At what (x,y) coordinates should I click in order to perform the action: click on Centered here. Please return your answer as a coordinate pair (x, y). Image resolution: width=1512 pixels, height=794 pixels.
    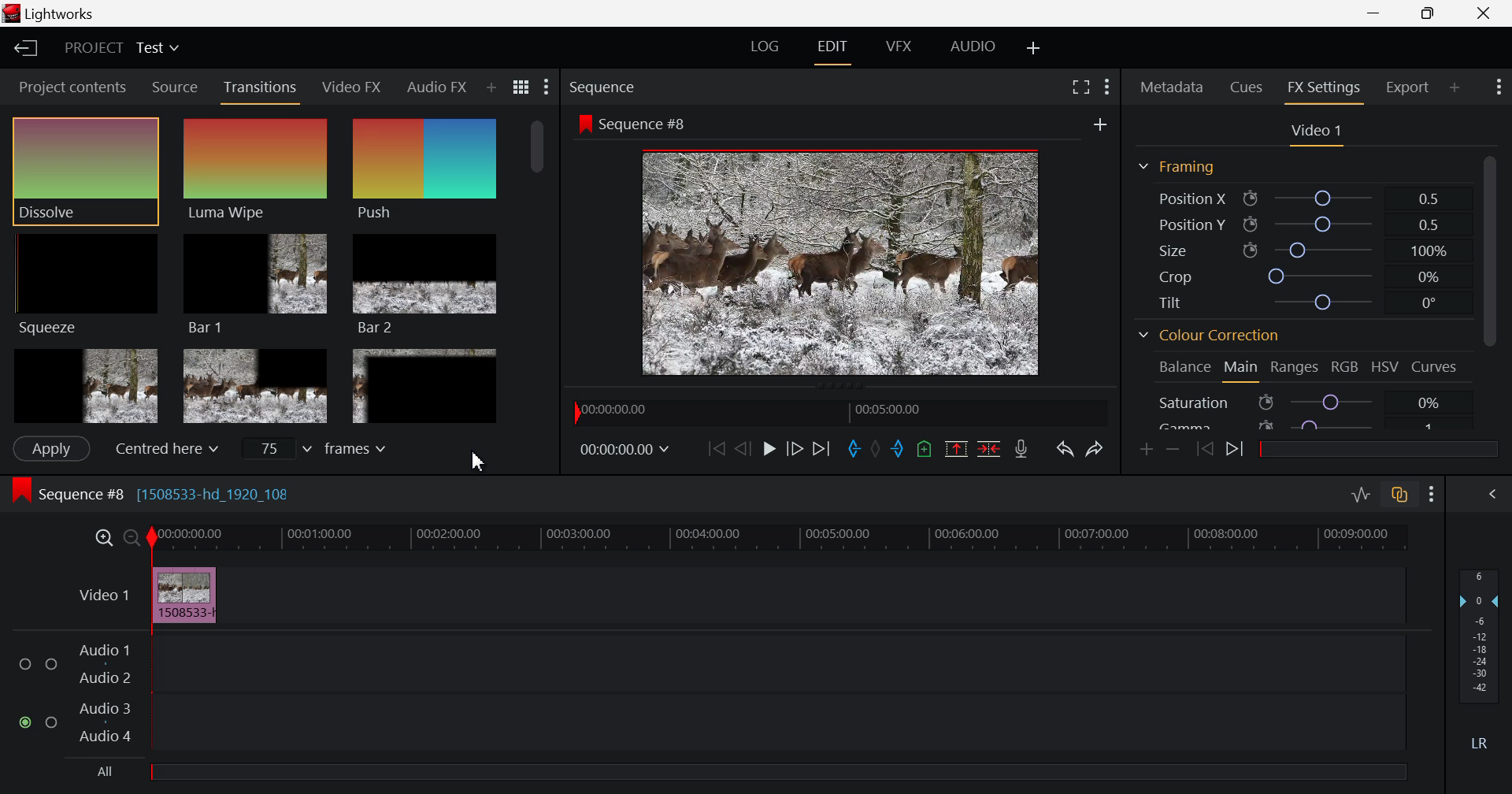
    Looking at the image, I should click on (165, 447).